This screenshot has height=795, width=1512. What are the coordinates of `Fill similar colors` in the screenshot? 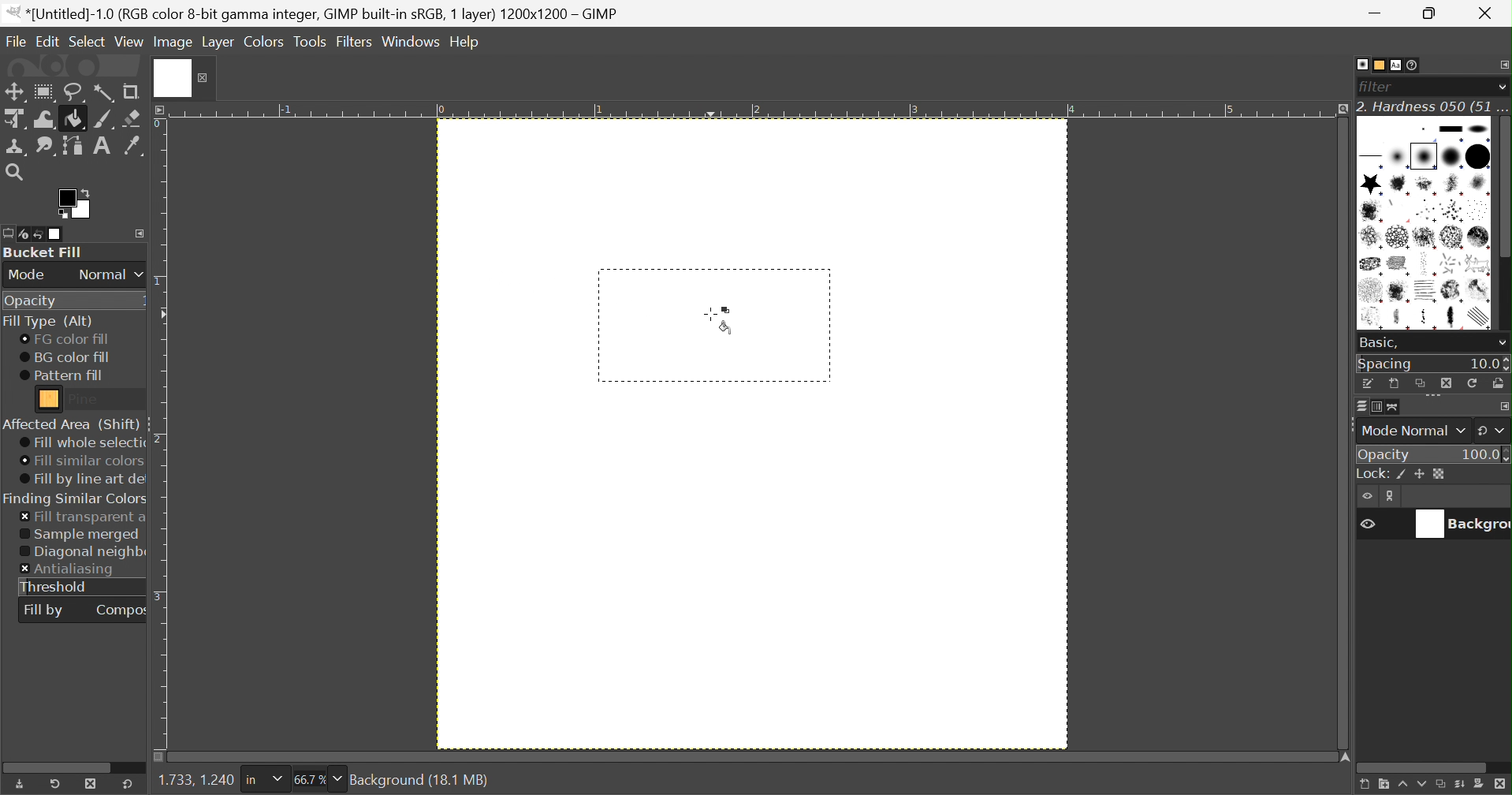 It's located at (80, 461).